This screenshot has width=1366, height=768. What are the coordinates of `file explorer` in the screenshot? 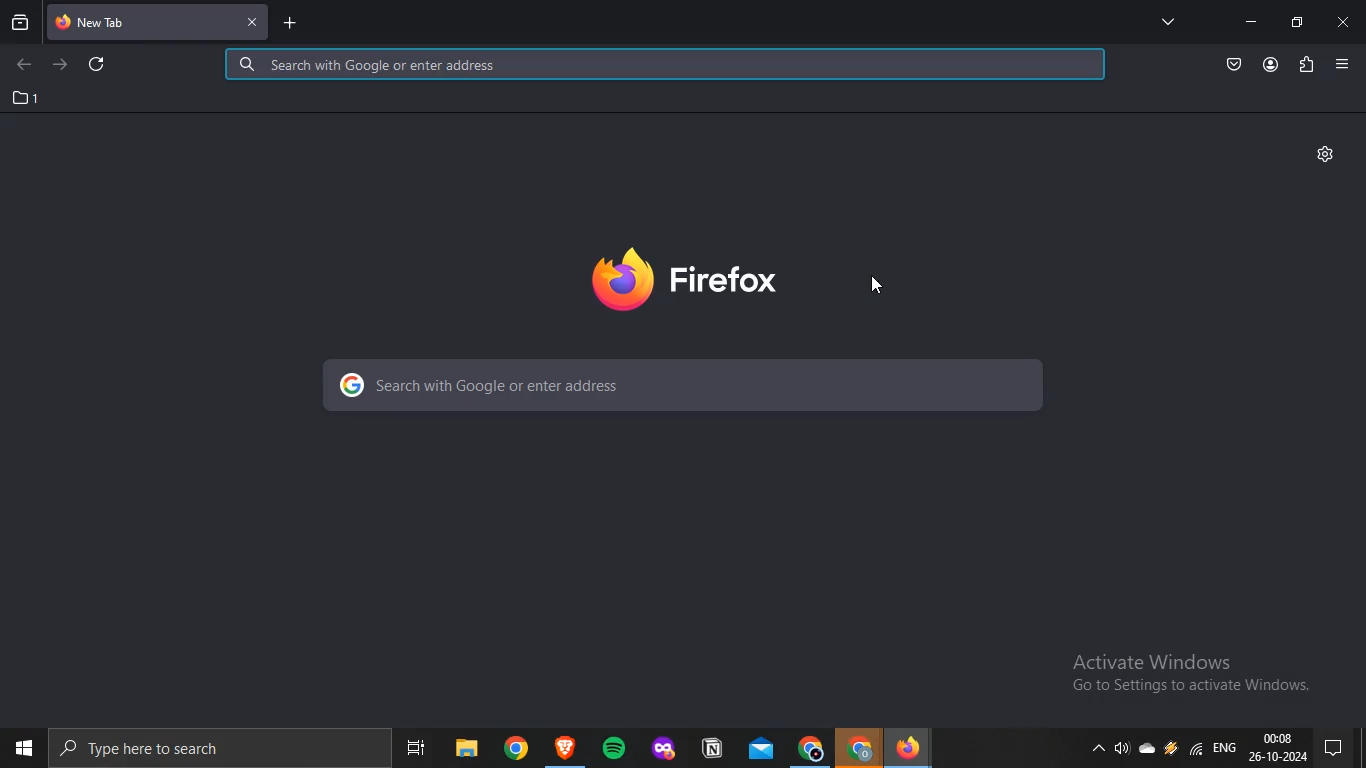 It's located at (464, 744).